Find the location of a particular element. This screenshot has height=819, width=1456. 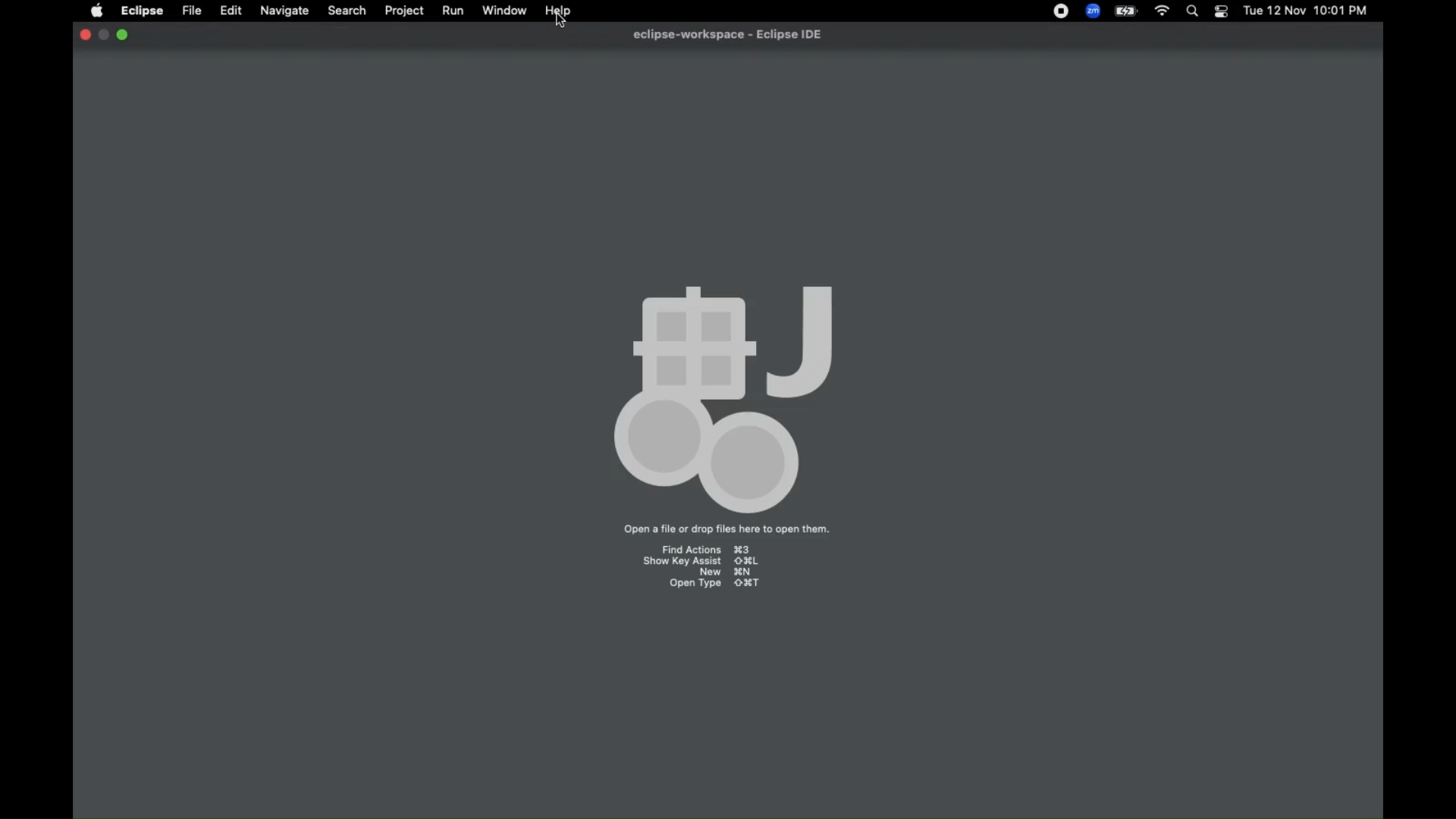

open type  is located at coordinates (715, 583).